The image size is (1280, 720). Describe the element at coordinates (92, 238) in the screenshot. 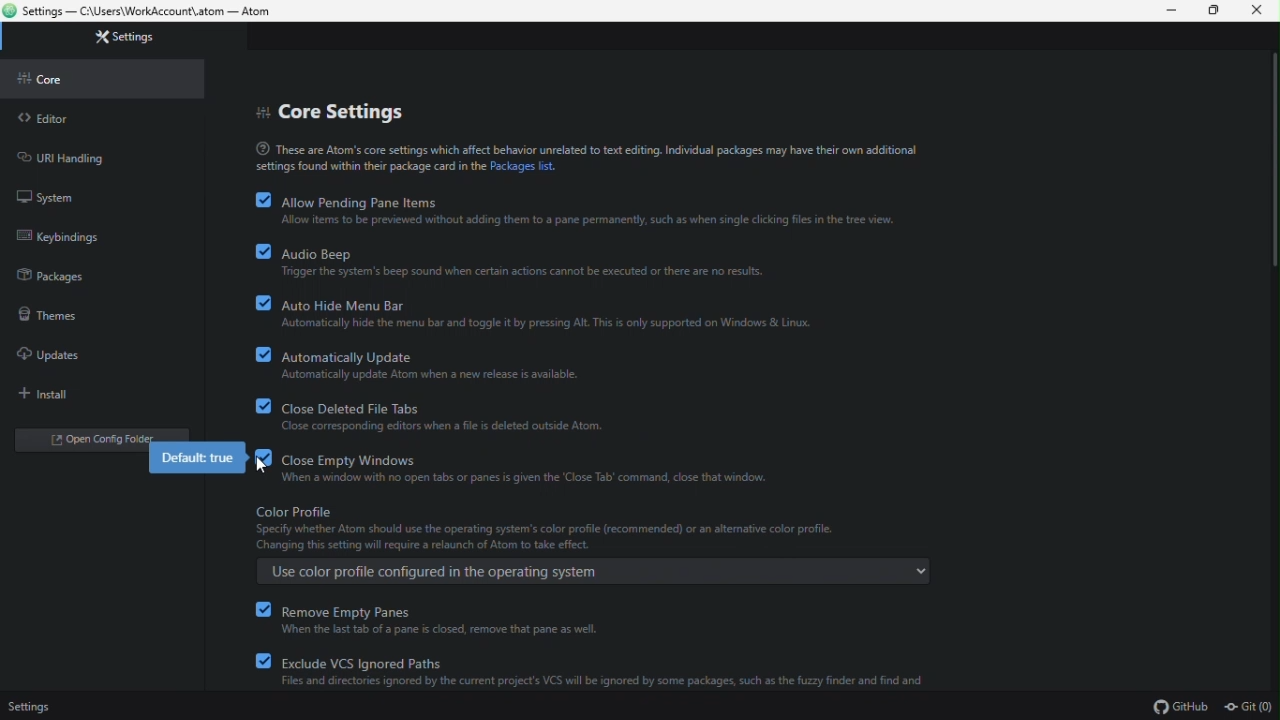

I see `keybinding` at that location.